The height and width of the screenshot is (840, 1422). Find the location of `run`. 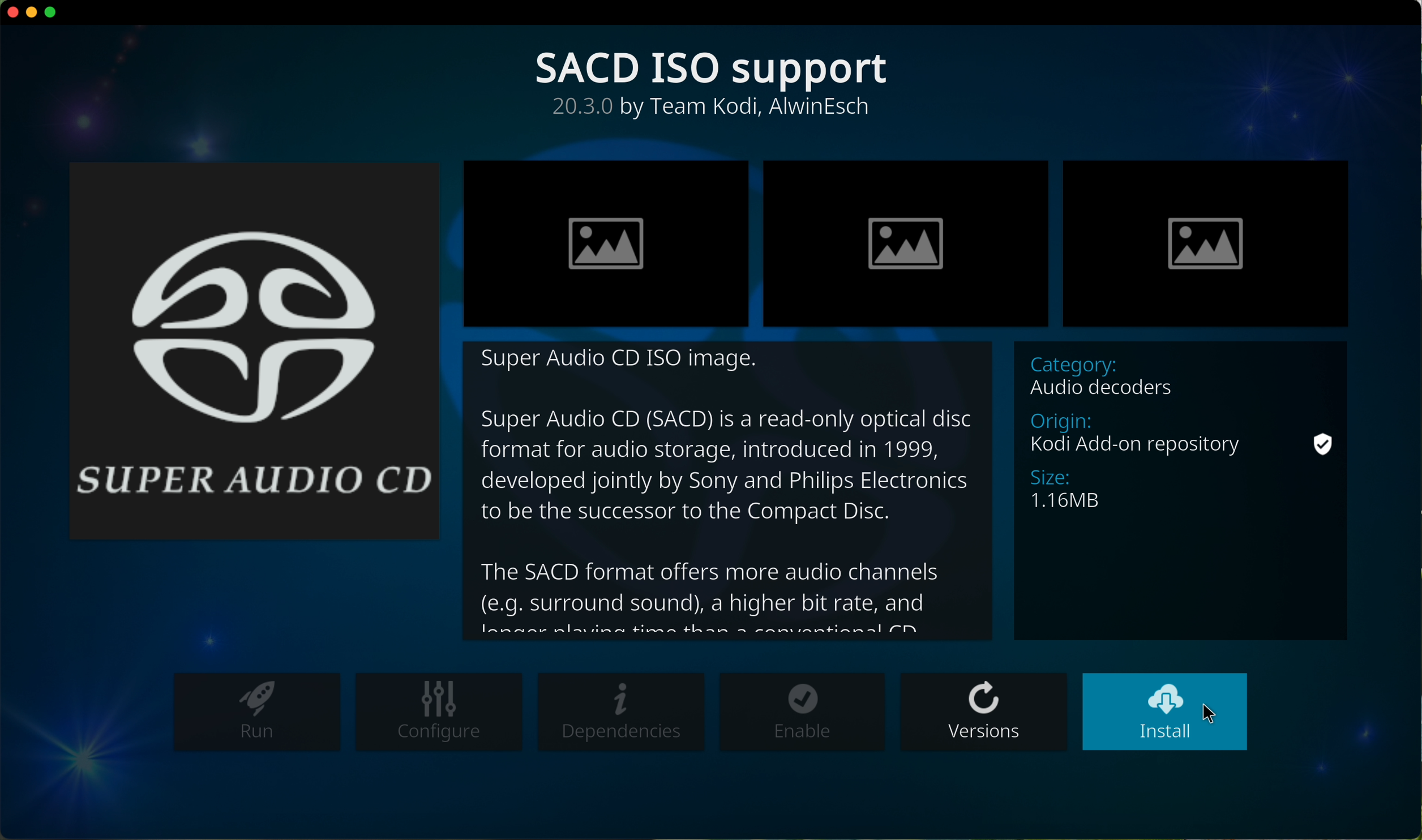

run is located at coordinates (257, 713).